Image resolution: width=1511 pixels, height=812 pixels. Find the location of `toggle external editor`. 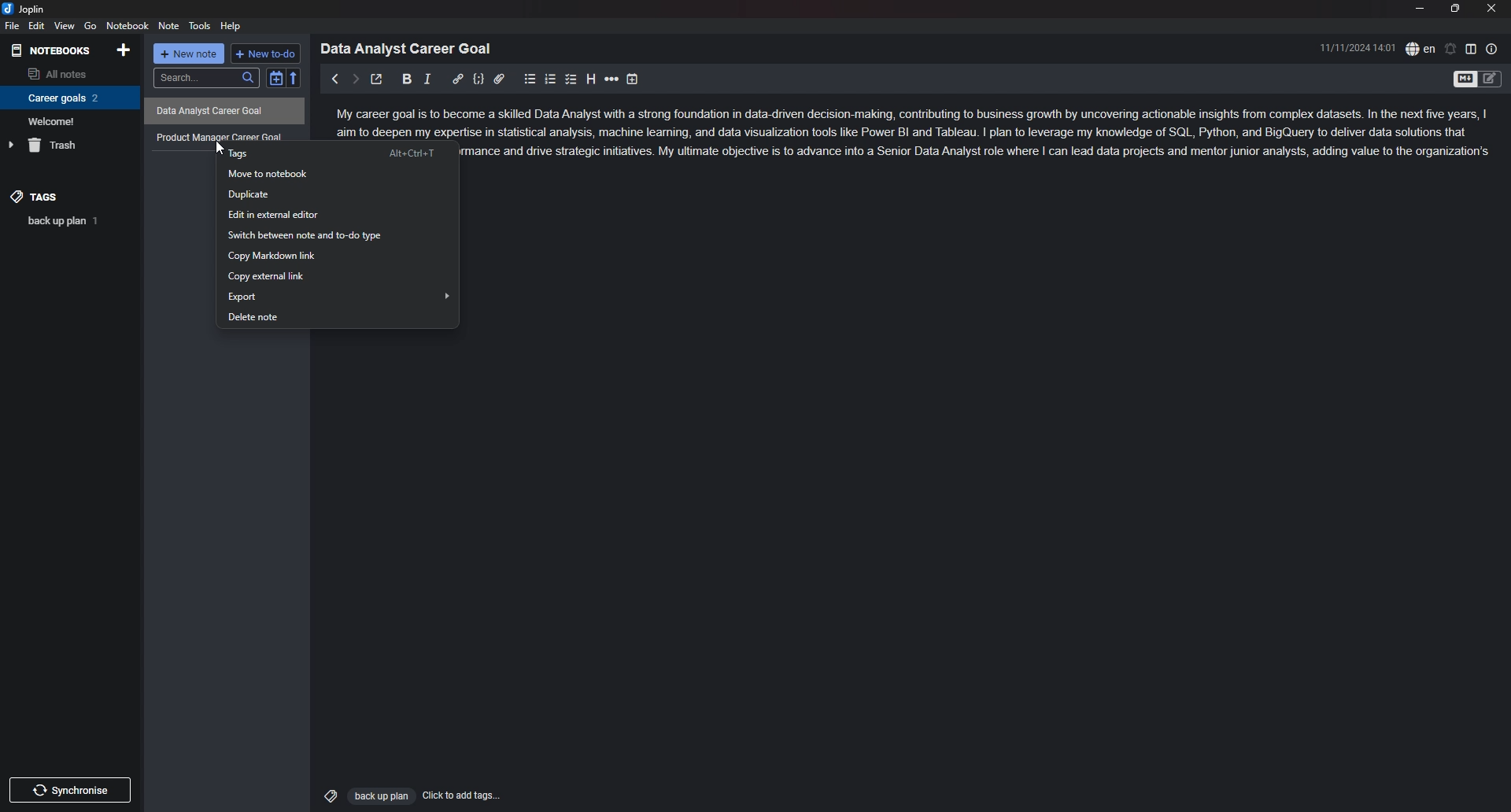

toggle external editor is located at coordinates (378, 79).